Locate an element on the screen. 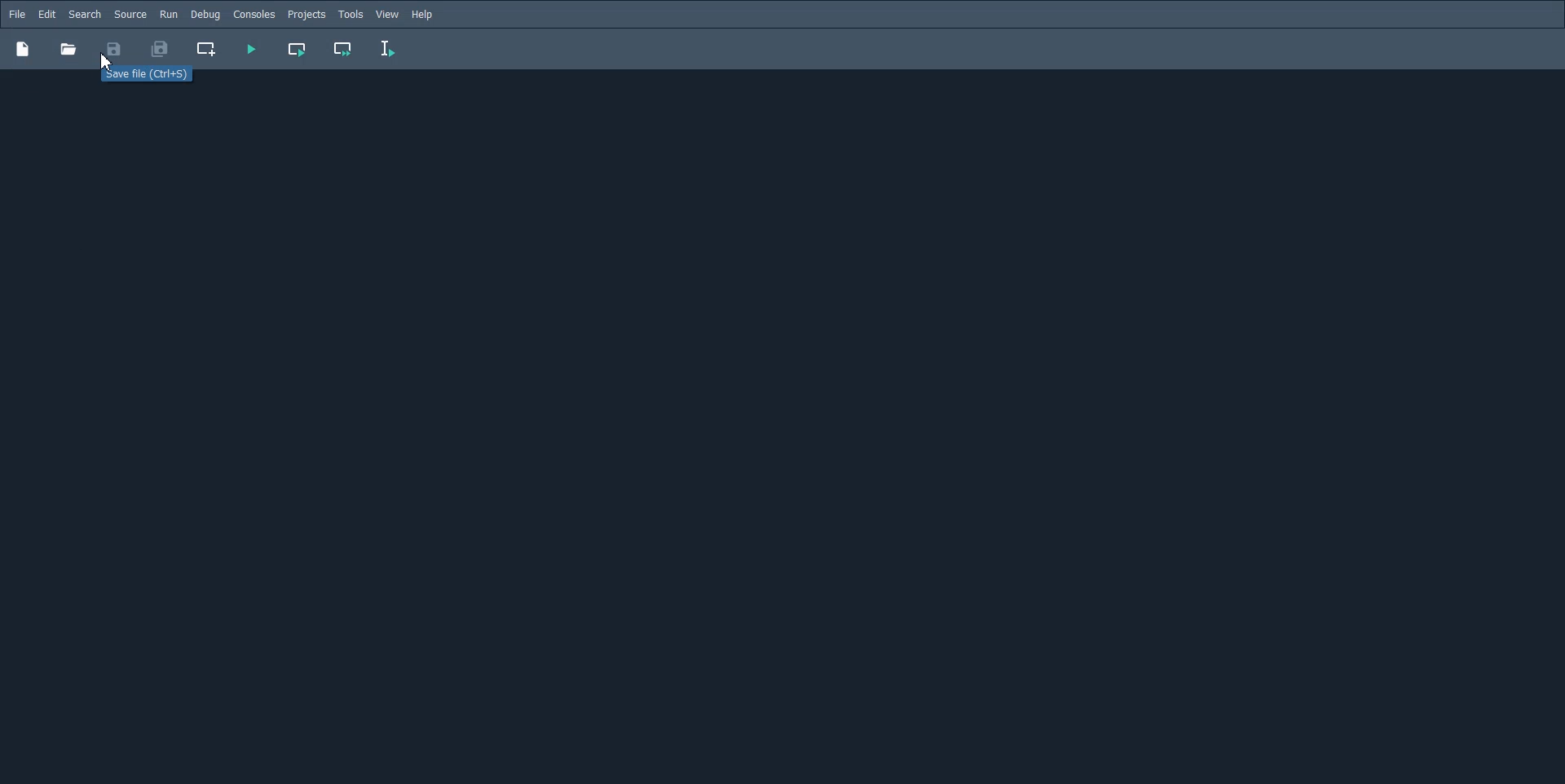 The height and width of the screenshot is (784, 1565).  is located at coordinates (68, 49).